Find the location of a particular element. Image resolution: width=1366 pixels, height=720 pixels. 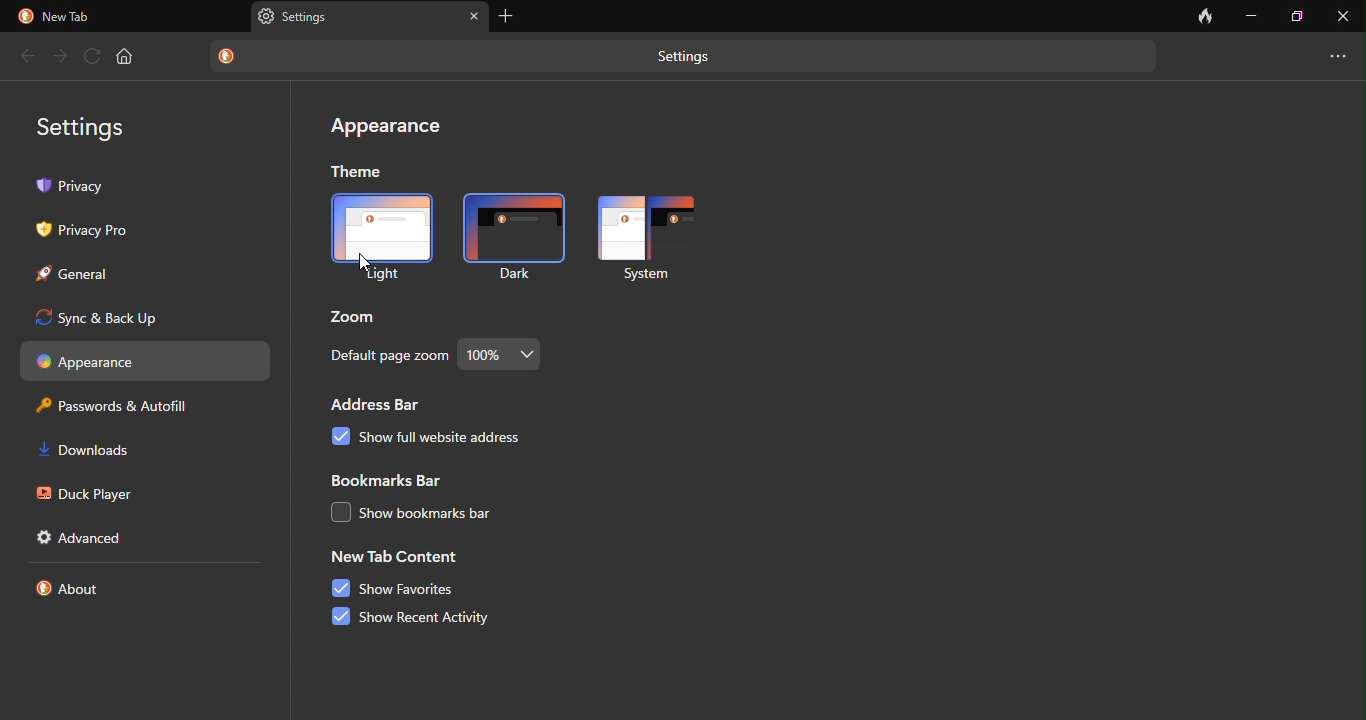

password and autofill is located at coordinates (123, 408).